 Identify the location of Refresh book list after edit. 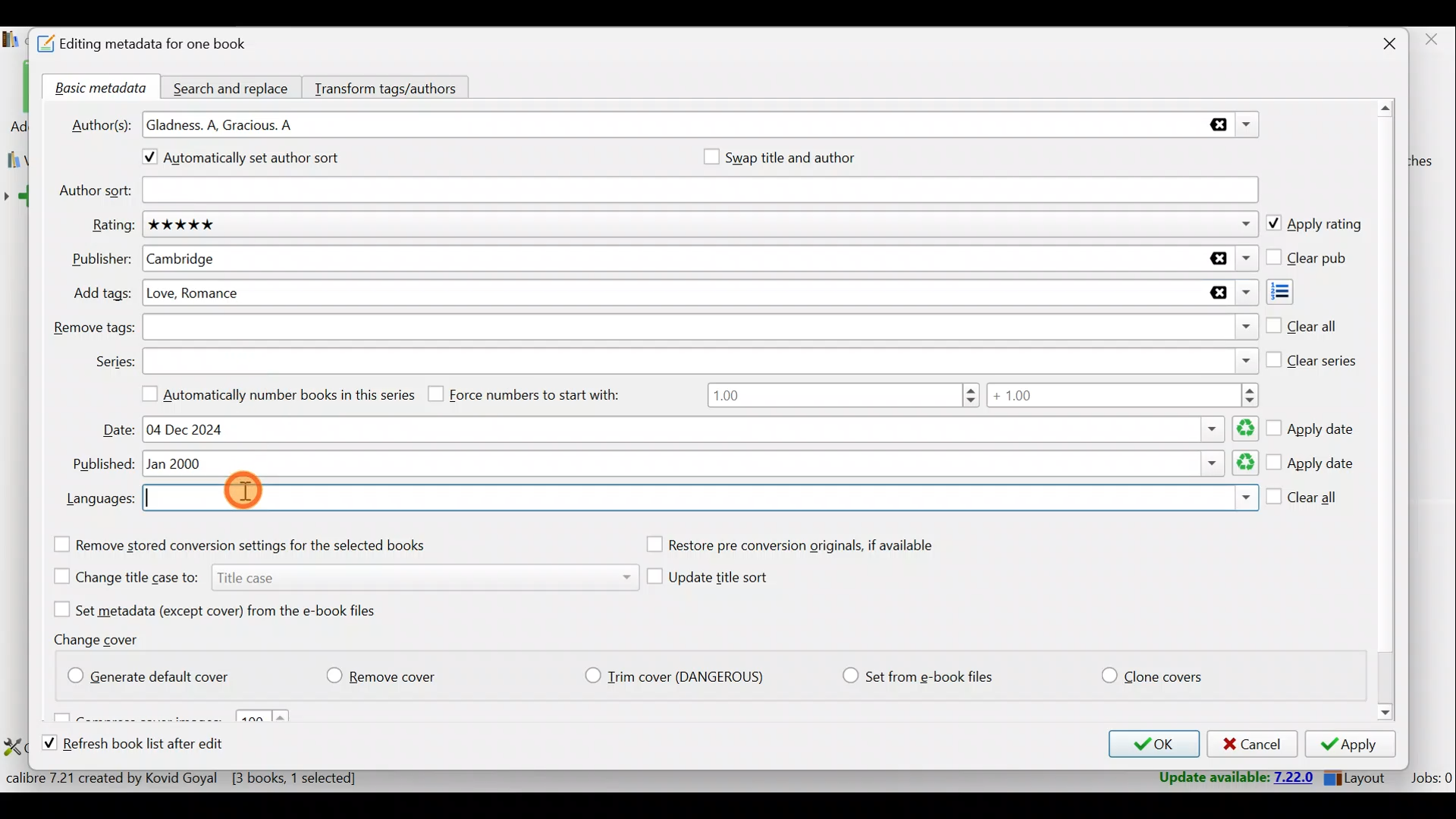
(147, 745).